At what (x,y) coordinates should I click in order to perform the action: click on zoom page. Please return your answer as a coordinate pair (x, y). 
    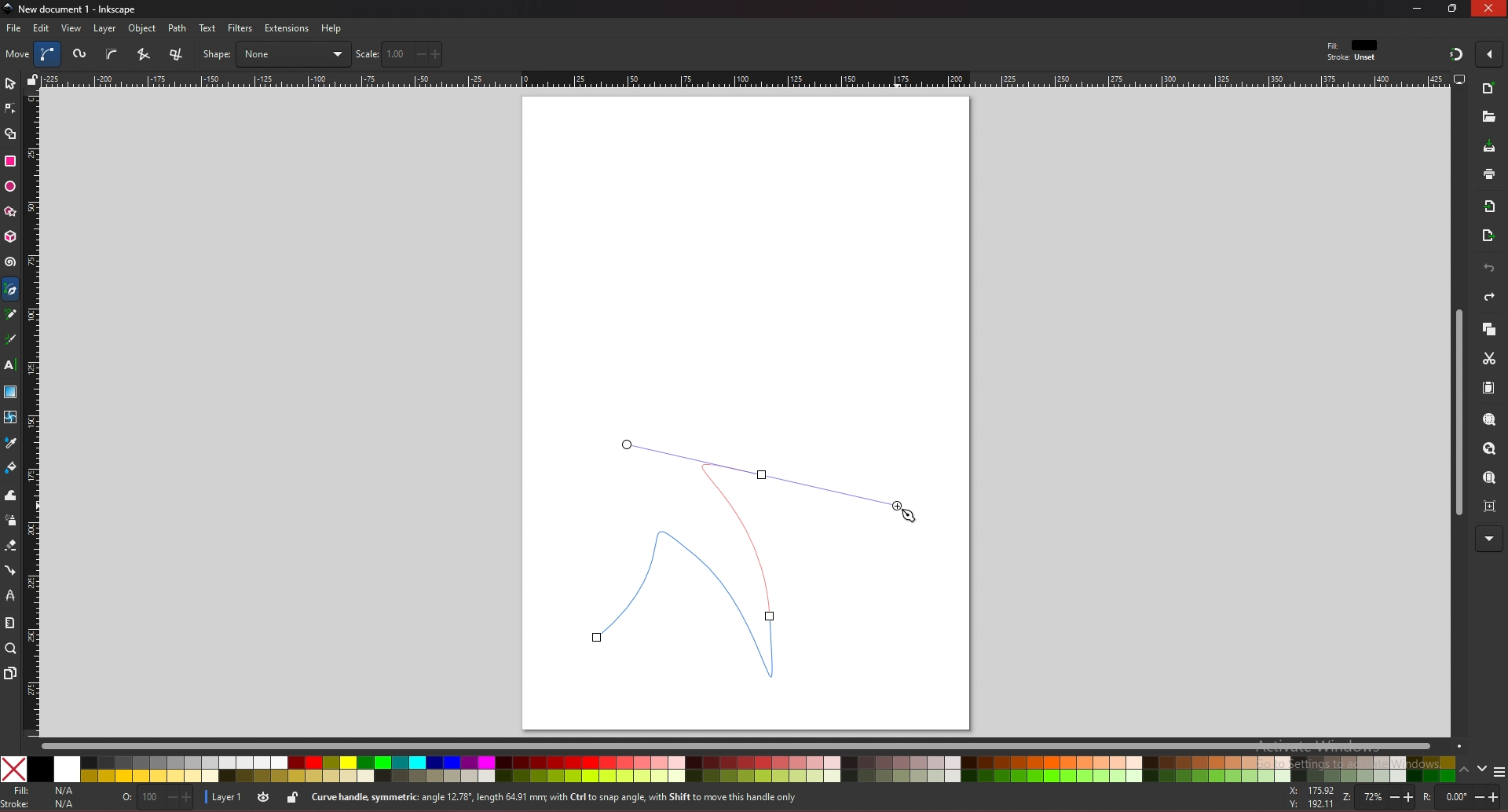
    Looking at the image, I should click on (1488, 479).